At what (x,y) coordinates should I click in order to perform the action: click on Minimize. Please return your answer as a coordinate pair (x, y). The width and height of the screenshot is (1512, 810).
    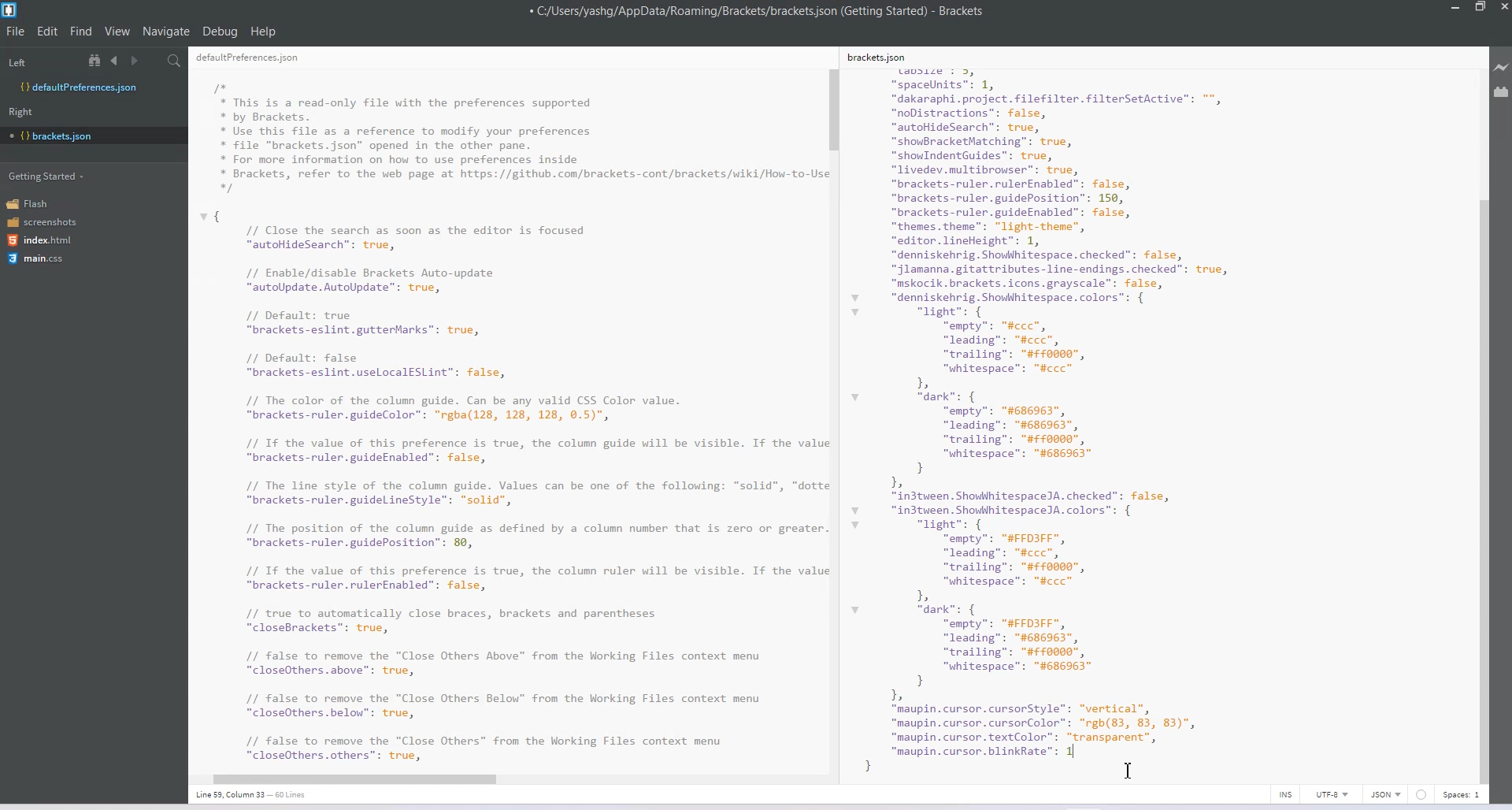
    Looking at the image, I should click on (1457, 8).